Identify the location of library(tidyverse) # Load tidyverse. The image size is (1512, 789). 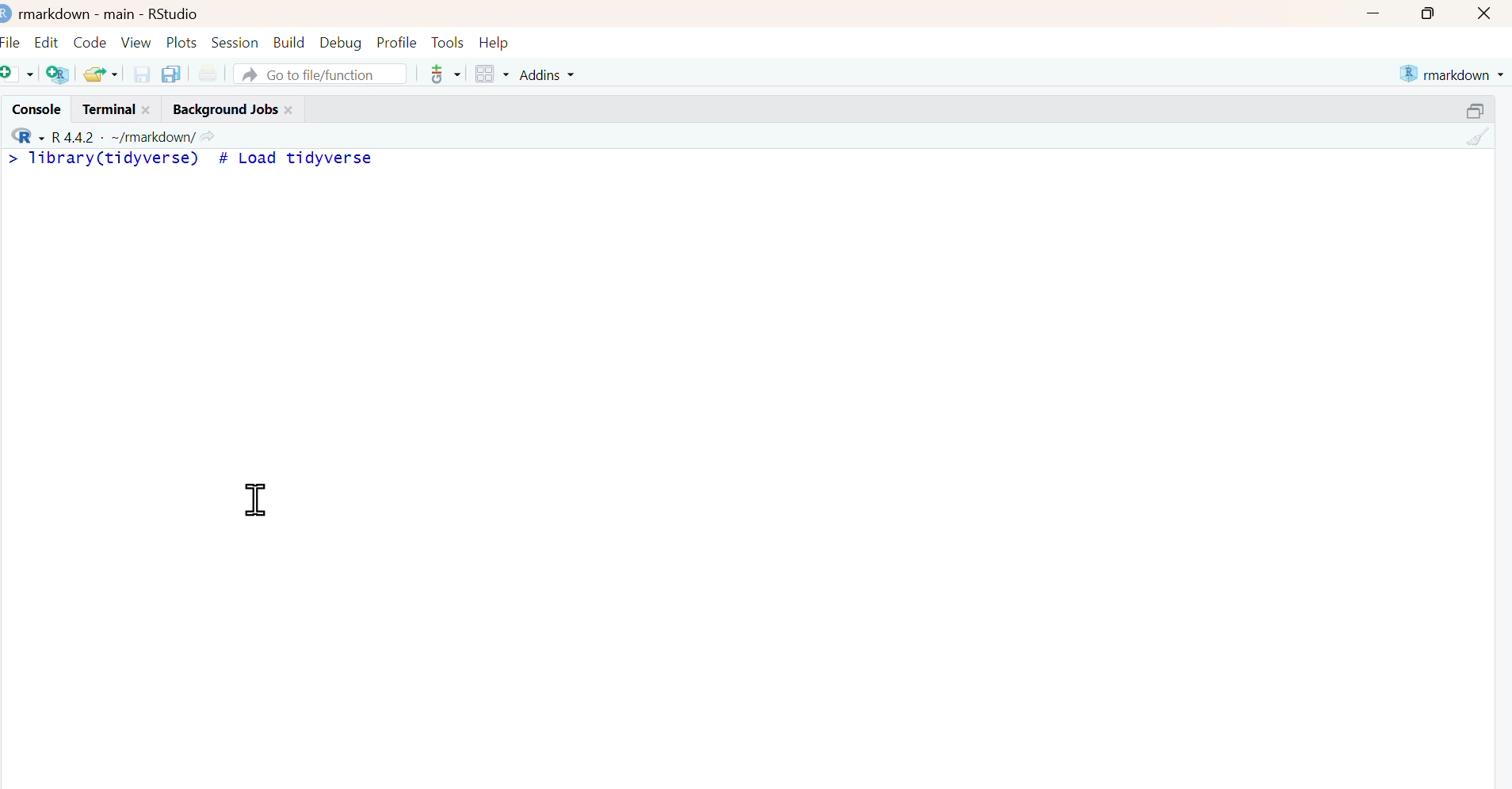
(201, 159).